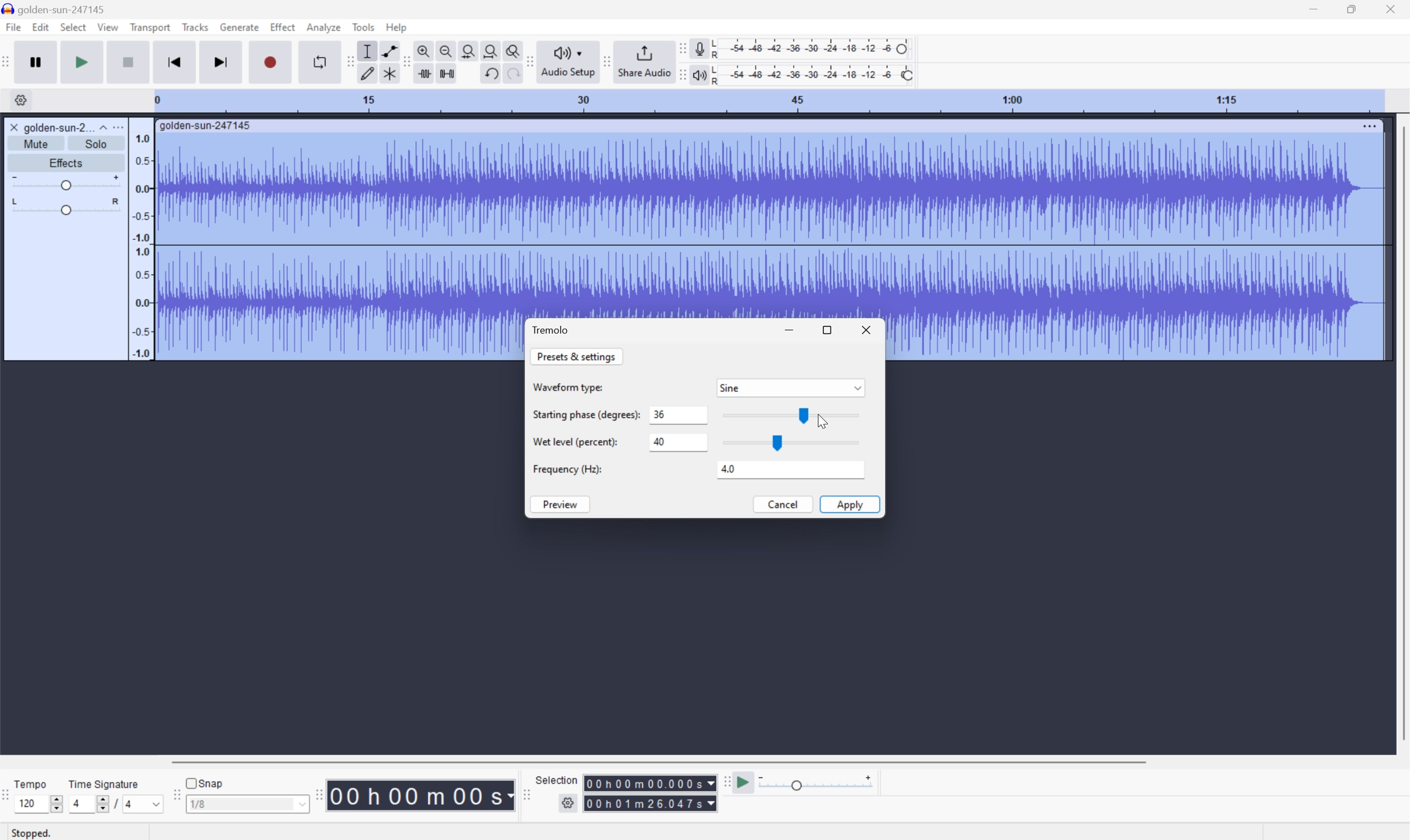 Image resolution: width=1410 pixels, height=840 pixels. What do you see at coordinates (38, 61) in the screenshot?
I see `Pause` at bounding box center [38, 61].